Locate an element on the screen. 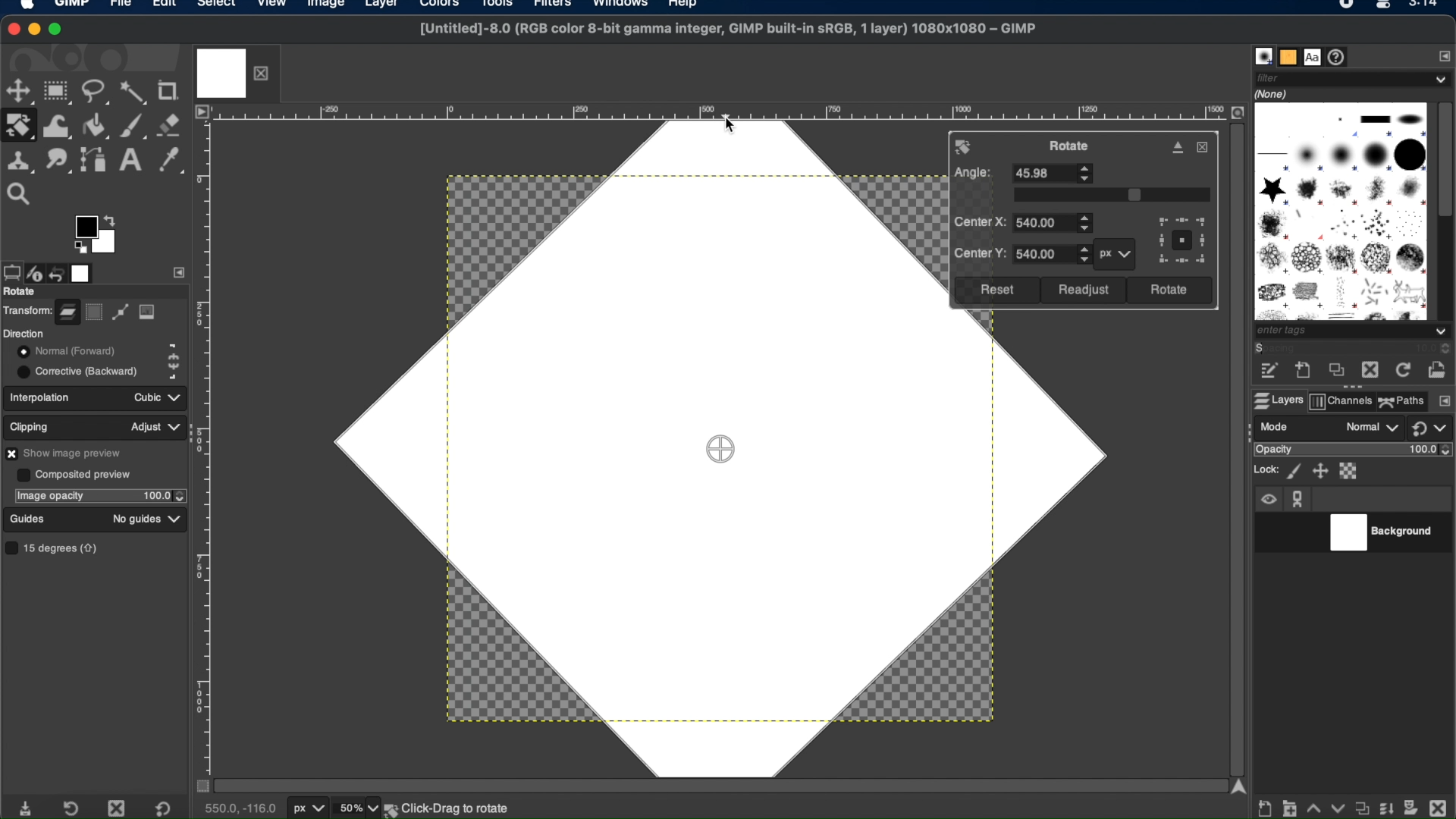 The width and height of the screenshot is (1456, 819). patterns is located at coordinates (1288, 56).